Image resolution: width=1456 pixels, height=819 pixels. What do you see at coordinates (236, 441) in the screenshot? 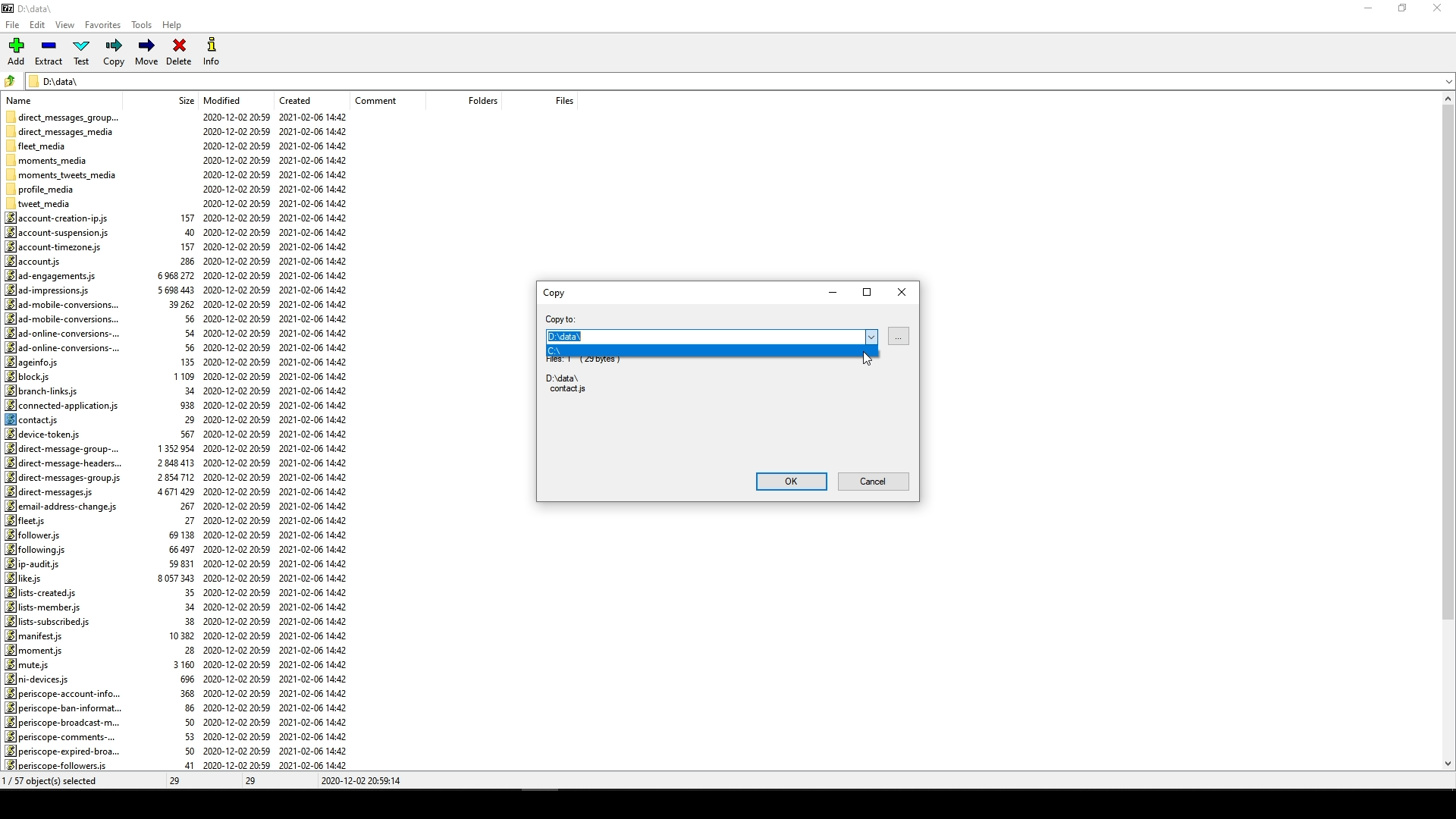
I see `Modified date and time` at bounding box center [236, 441].